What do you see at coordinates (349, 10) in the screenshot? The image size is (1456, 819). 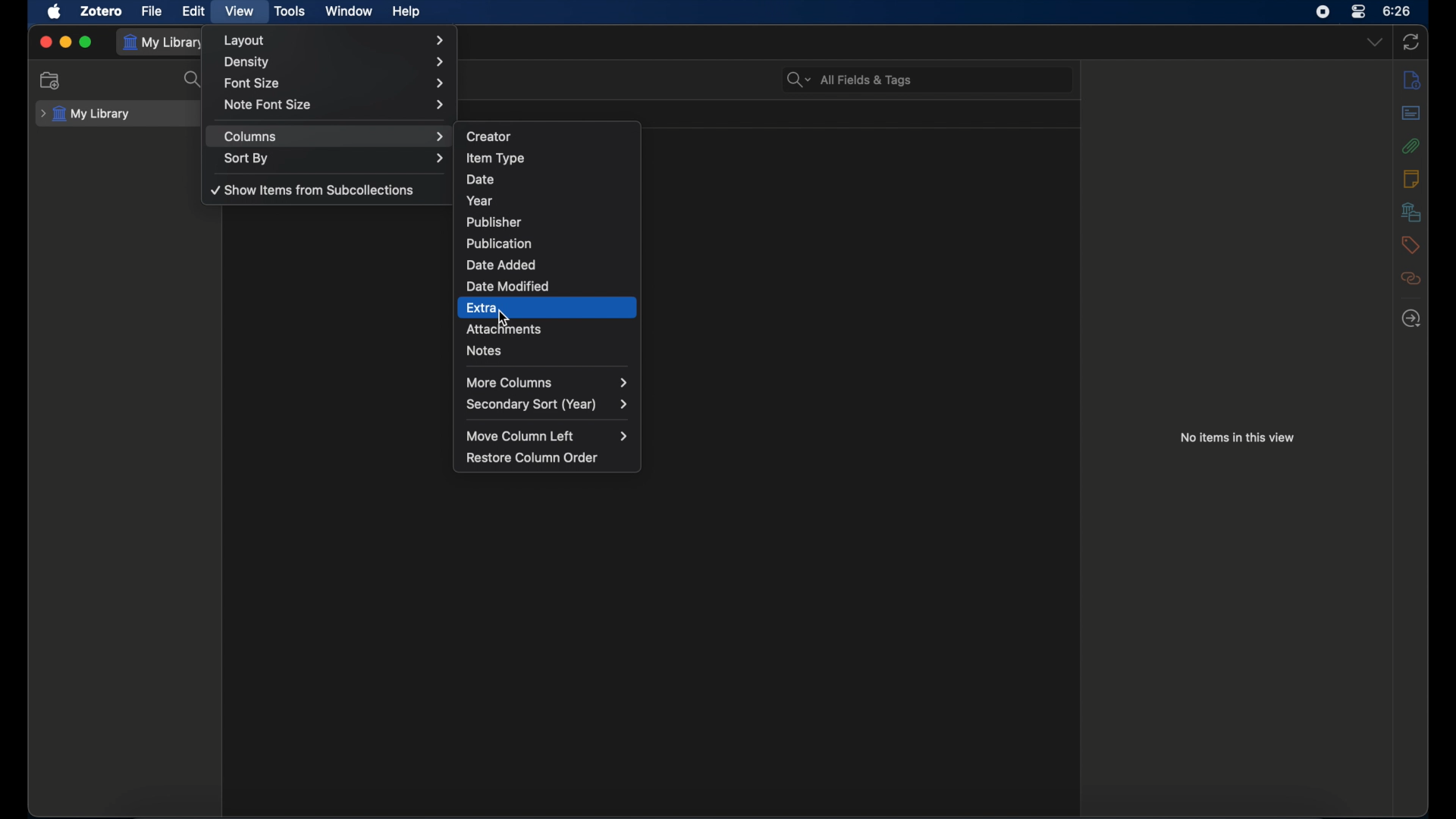 I see `window` at bounding box center [349, 10].